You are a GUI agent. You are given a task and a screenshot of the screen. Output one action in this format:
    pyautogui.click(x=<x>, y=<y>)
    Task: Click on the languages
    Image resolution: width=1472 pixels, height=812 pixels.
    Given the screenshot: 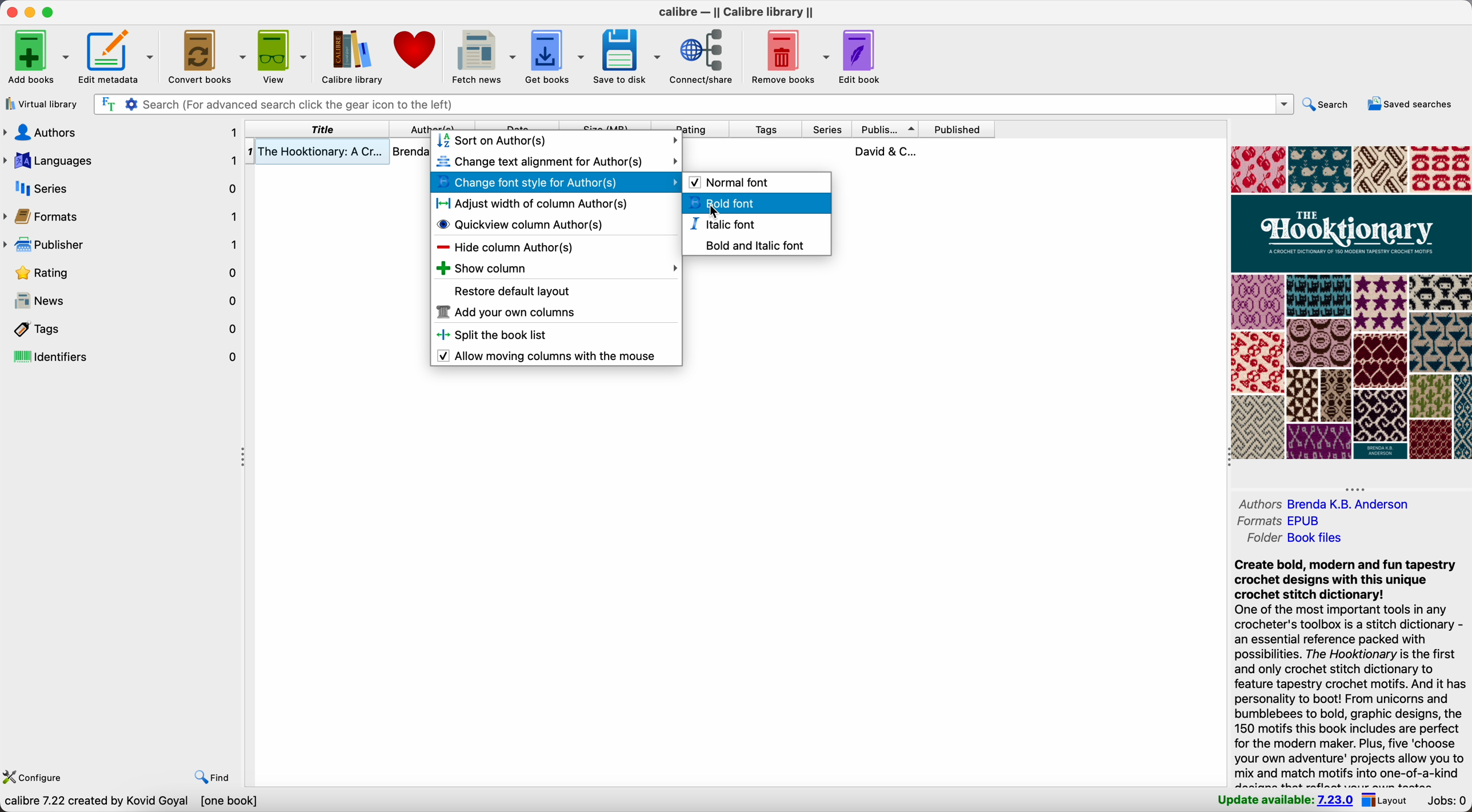 What is the action you would take?
    pyautogui.click(x=122, y=159)
    